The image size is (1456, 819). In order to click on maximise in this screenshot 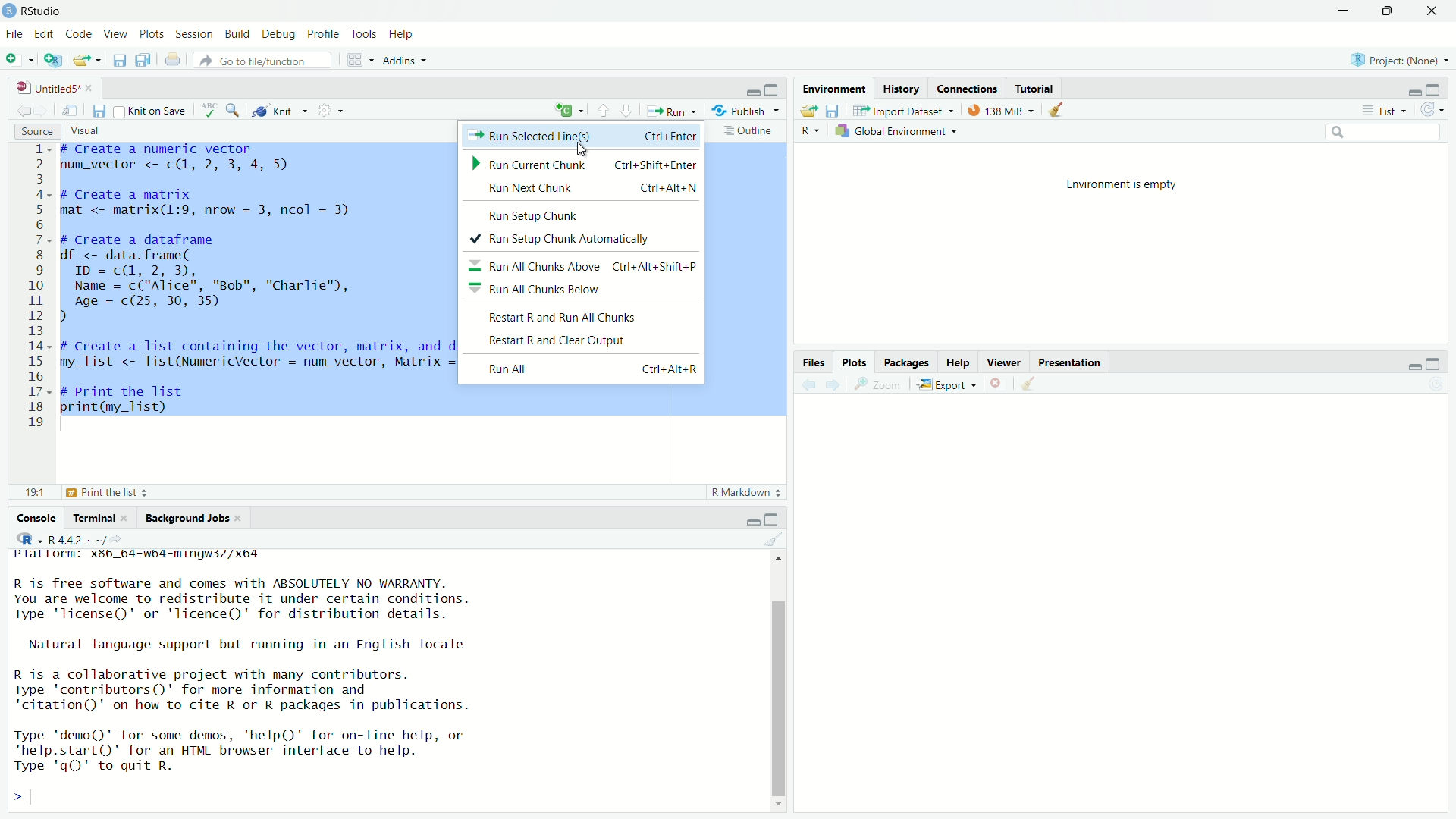, I will do `click(1439, 361)`.